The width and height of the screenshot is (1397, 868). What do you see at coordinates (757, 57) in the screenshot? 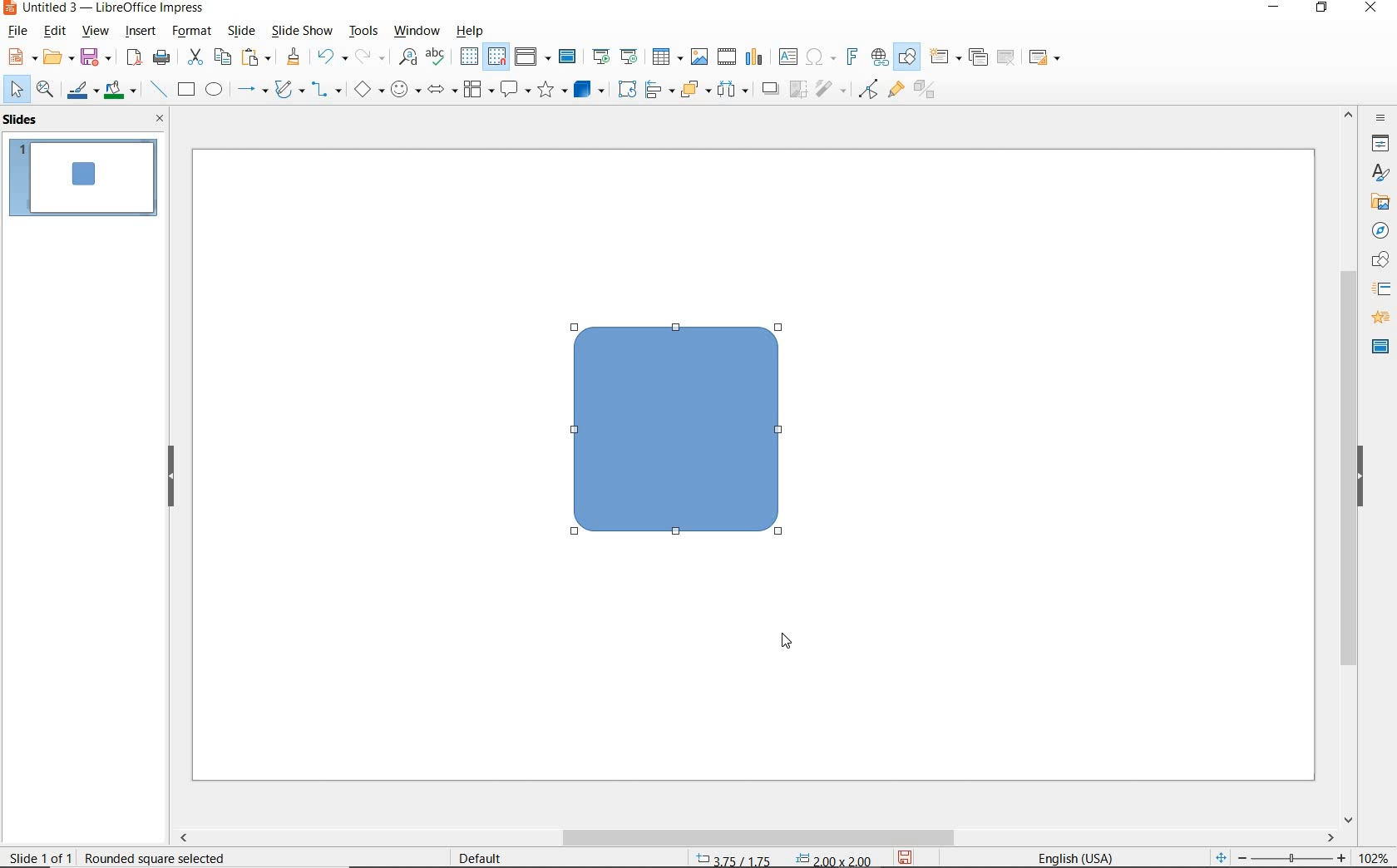
I see `insert chart` at bounding box center [757, 57].